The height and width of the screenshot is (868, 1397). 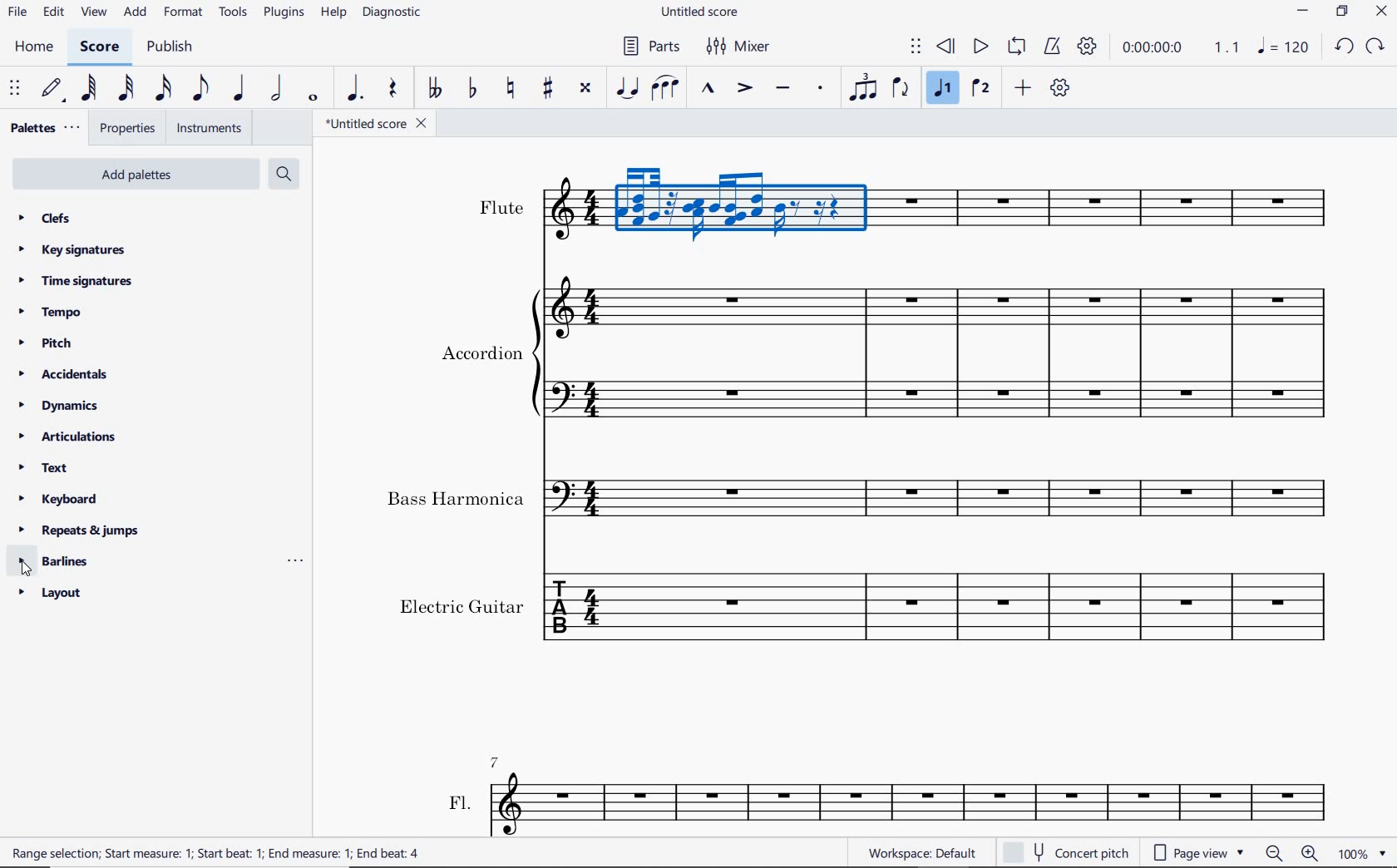 I want to click on half note, so click(x=276, y=89).